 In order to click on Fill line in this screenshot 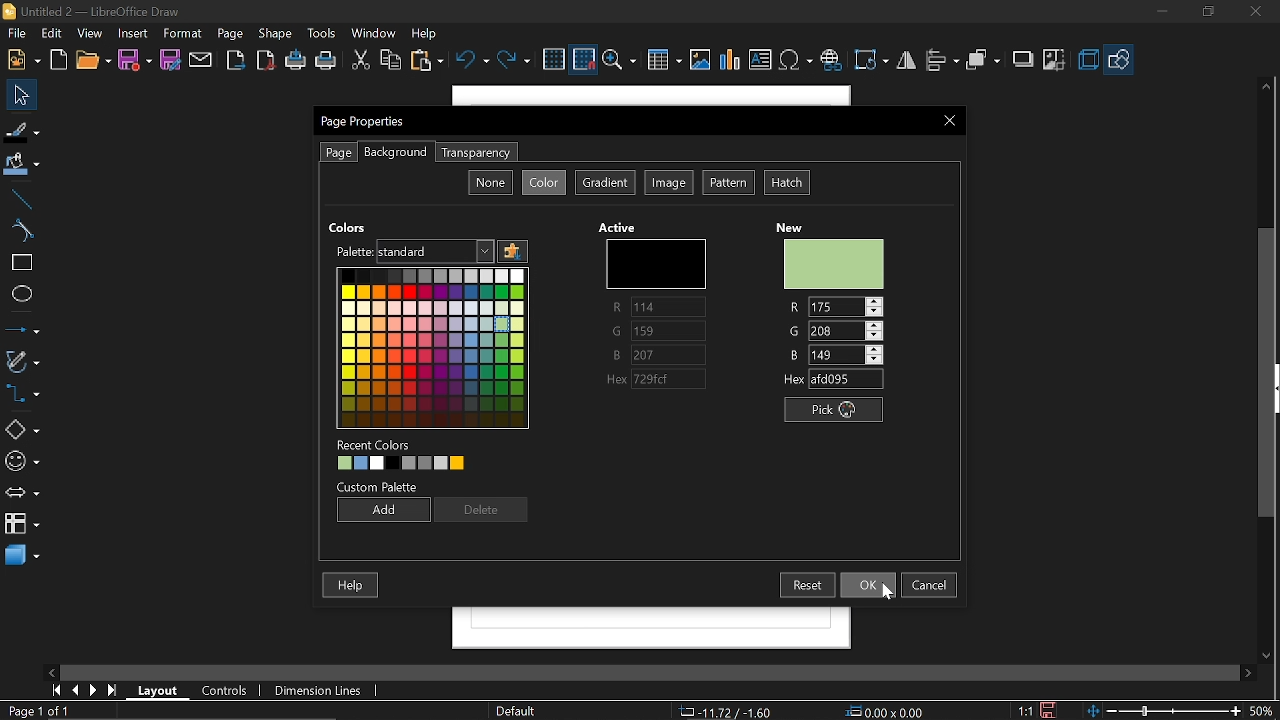, I will do `click(22, 130)`.